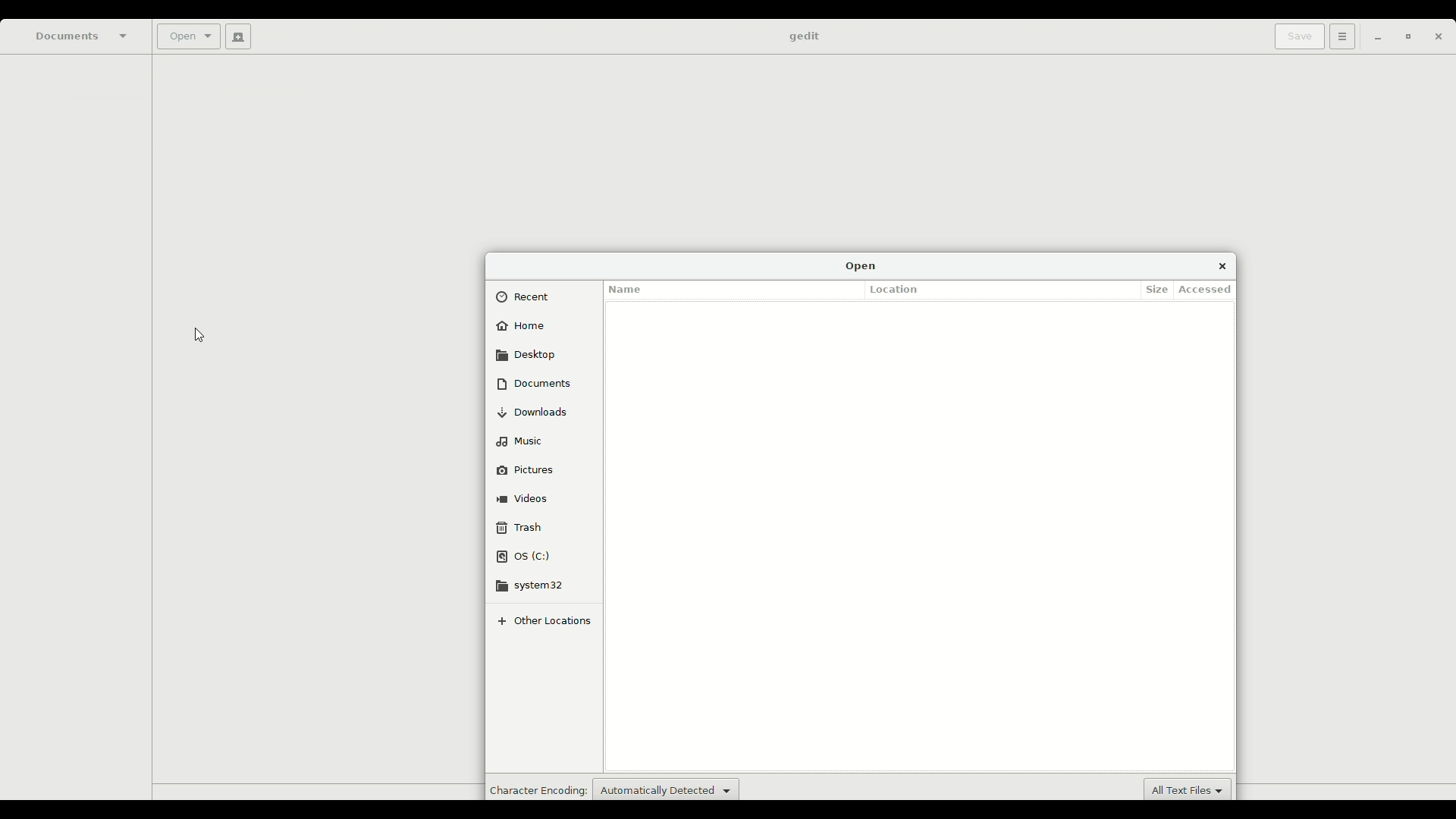 Image resolution: width=1456 pixels, height=819 pixels. I want to click on Documents, so click(83, 36).